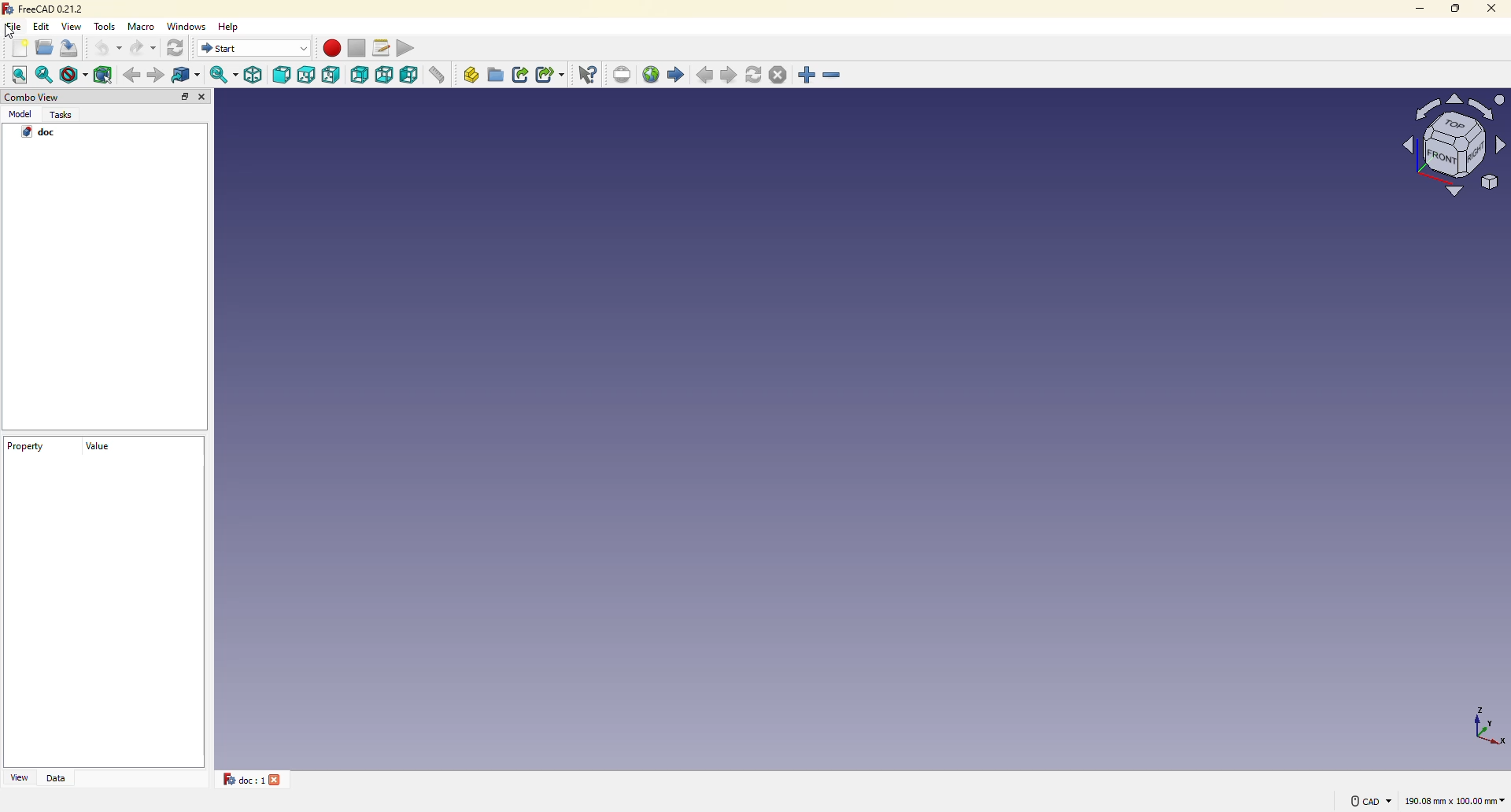 This screenshot has height=812, width=1511. What do you see at coordinates (205, 98) in the screenshot?
I see `close` at bounding box center [205, 98].